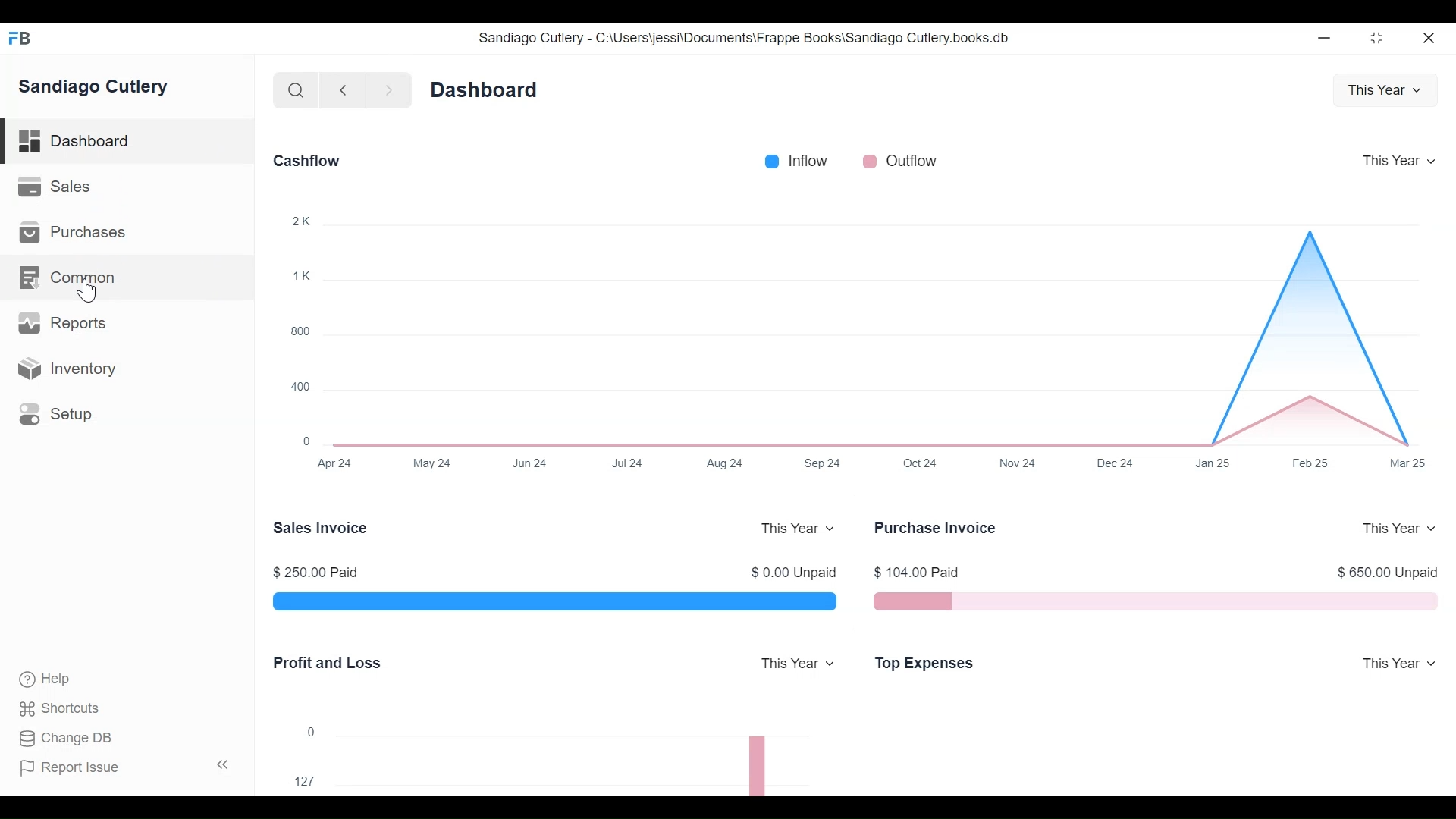 The width and height of the screenshot is (1456, 819). What do you see at coordinates (793, 572) in the screenshot?
I see `$ 0.00 Unpaid` at bounding box center [793, 572].